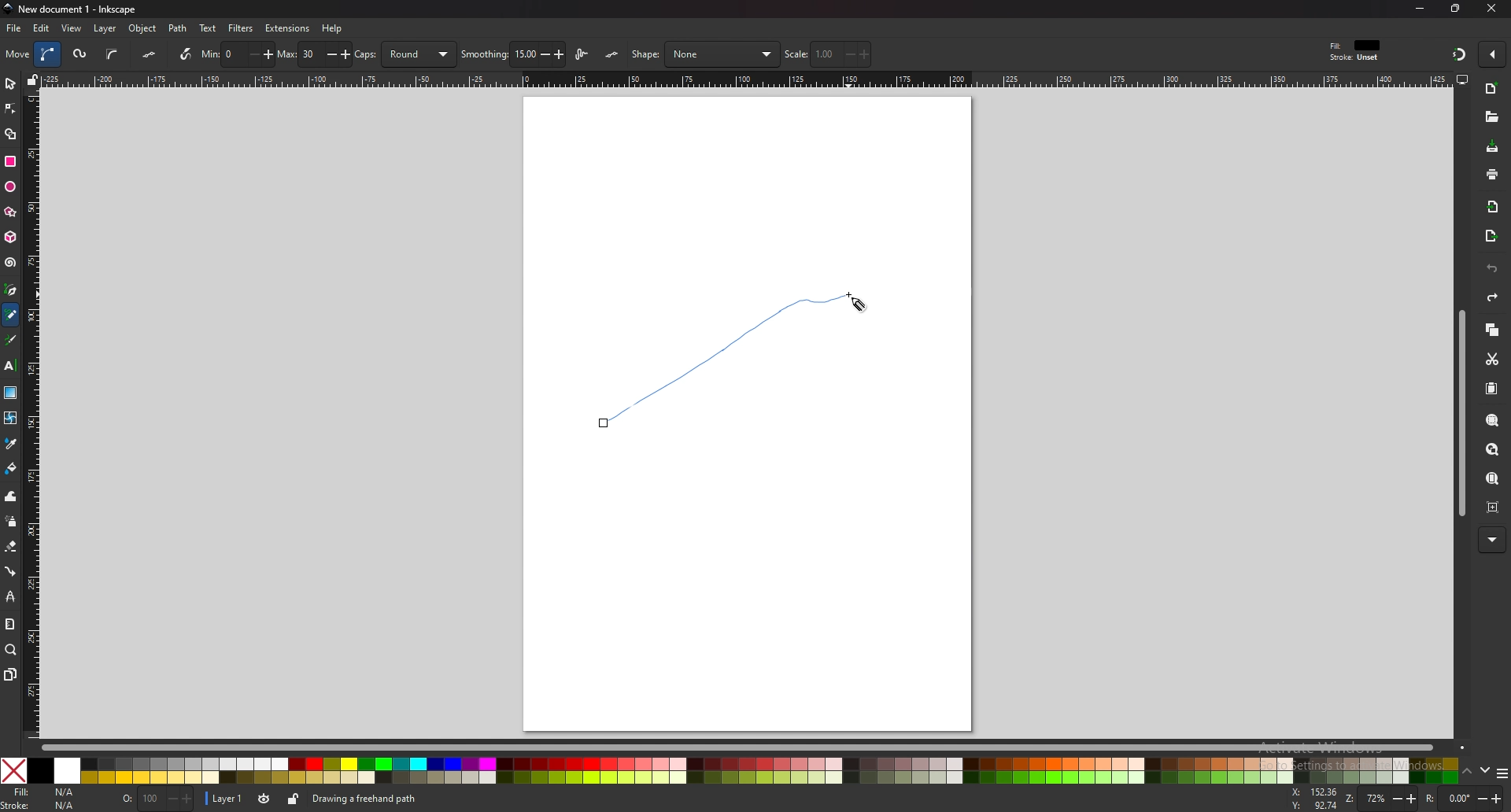 The image size is (1511, 812). What do you see at coordinates (12, 109) in the screenshot?
I see `node` at bounding box center [12, 109].